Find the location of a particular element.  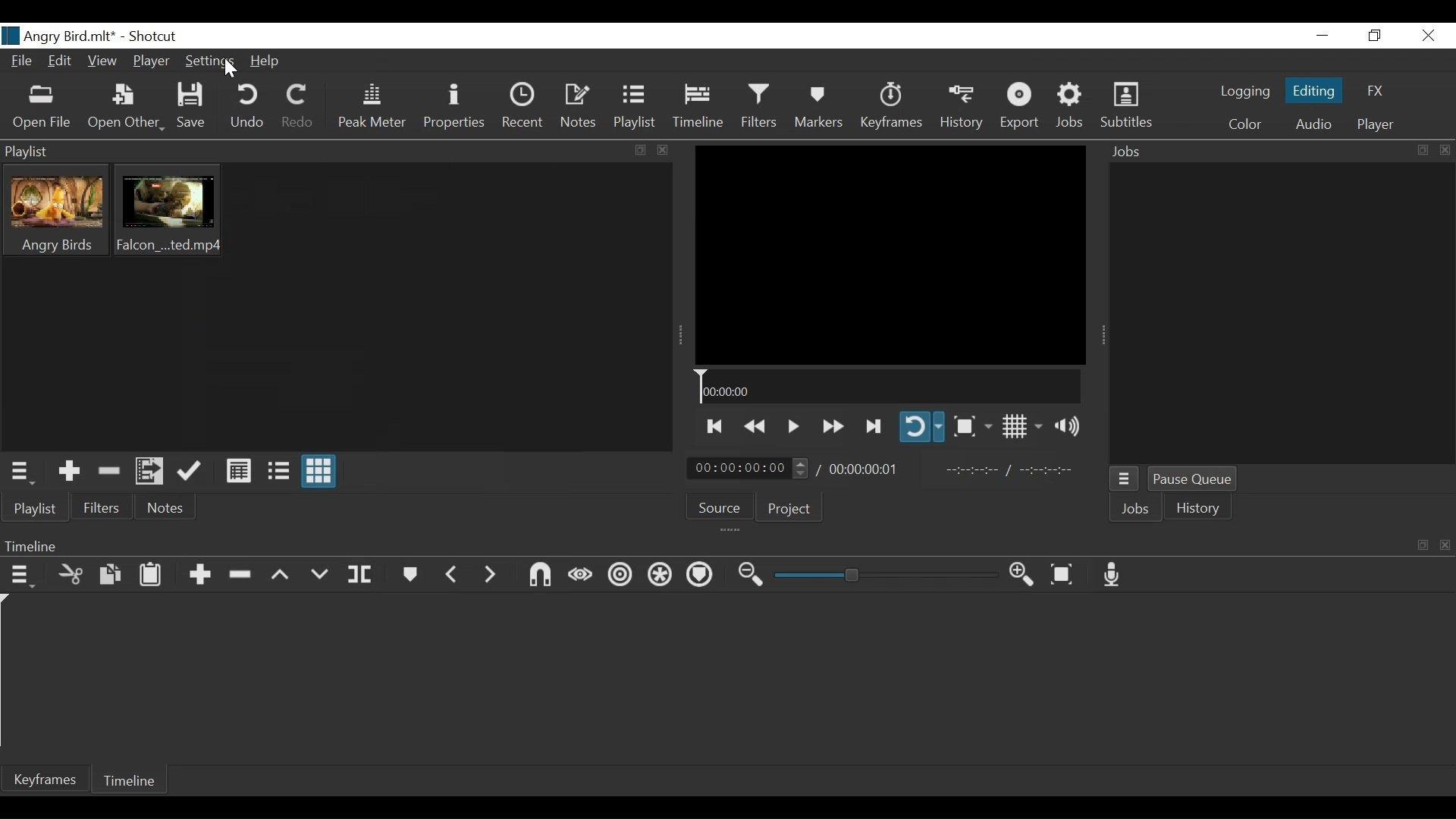

Ripple  is located at coordinates (620, 578).